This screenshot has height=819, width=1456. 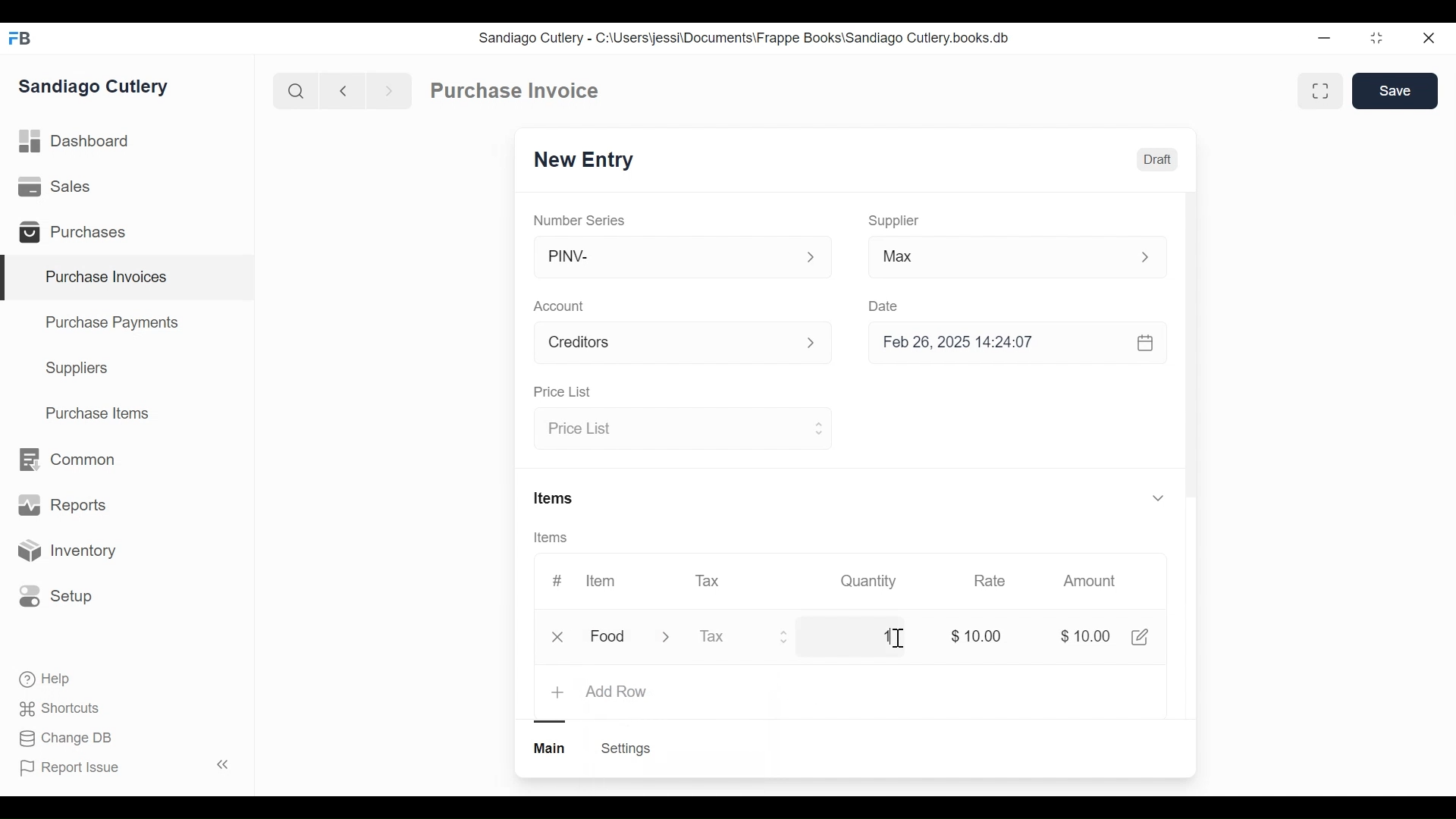 What do you see at coordinates (664, 345) in the screenshot?
I see `Account` at bounding box center [664, 345].